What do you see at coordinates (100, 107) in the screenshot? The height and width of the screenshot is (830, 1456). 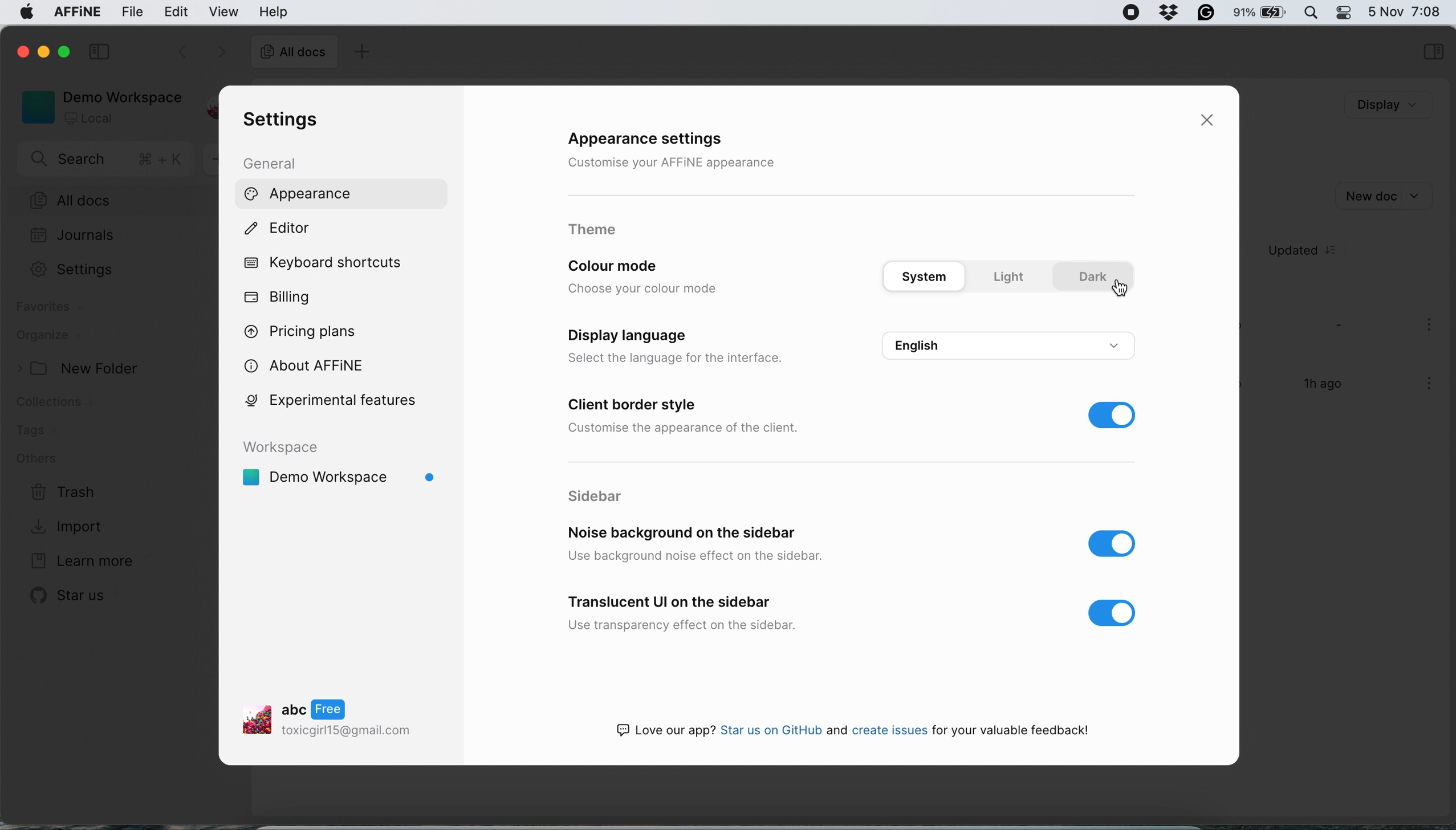 I see `workspace` at bounding box center [100, 107].